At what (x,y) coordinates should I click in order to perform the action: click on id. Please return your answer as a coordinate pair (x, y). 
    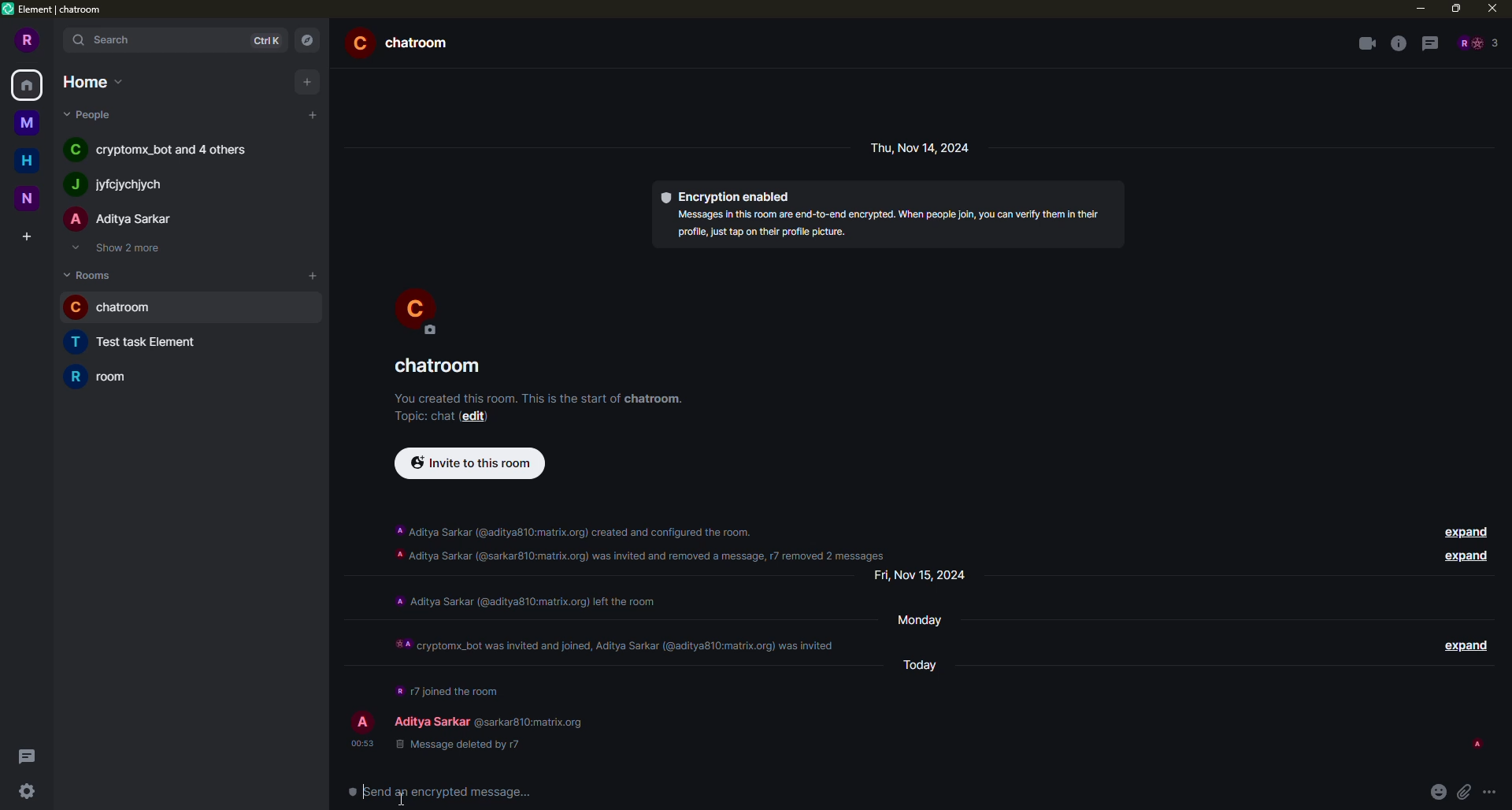
    Looking at the image, I should click on (532, 721).